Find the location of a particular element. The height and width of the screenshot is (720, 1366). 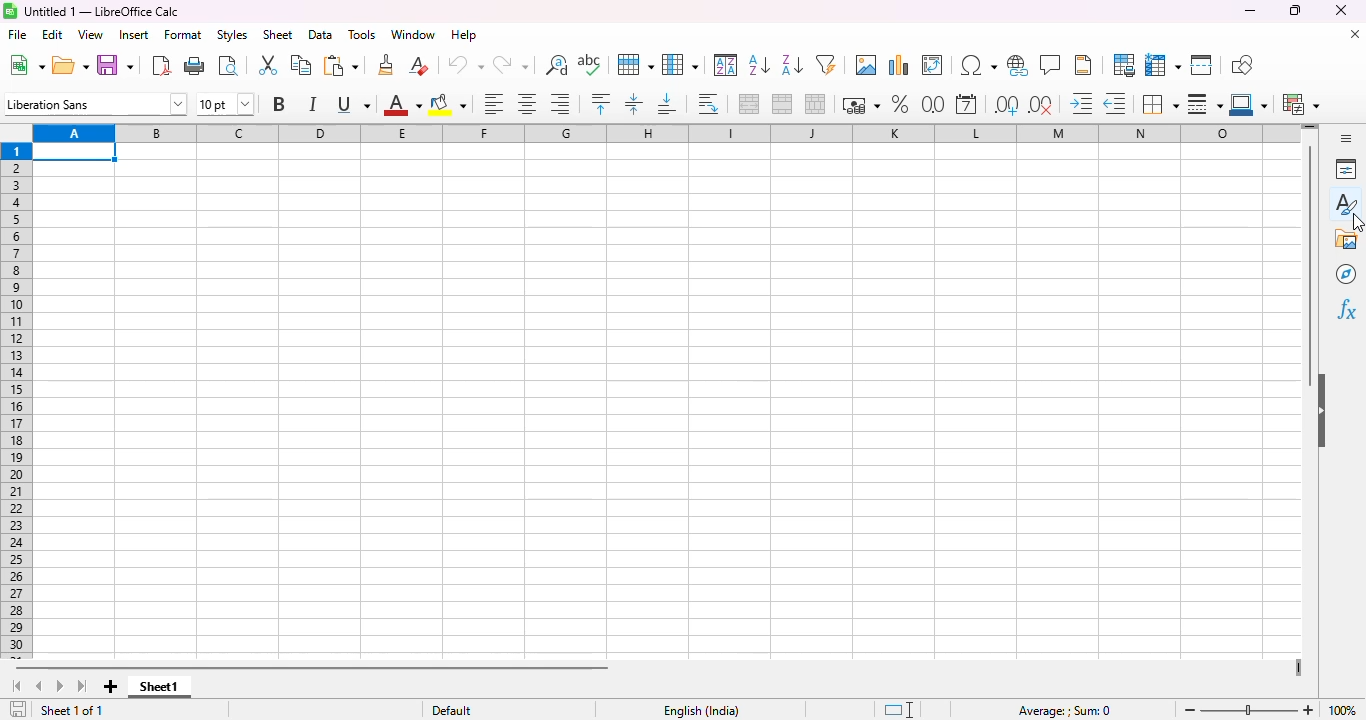

font color is located at coordinates (403, 104).